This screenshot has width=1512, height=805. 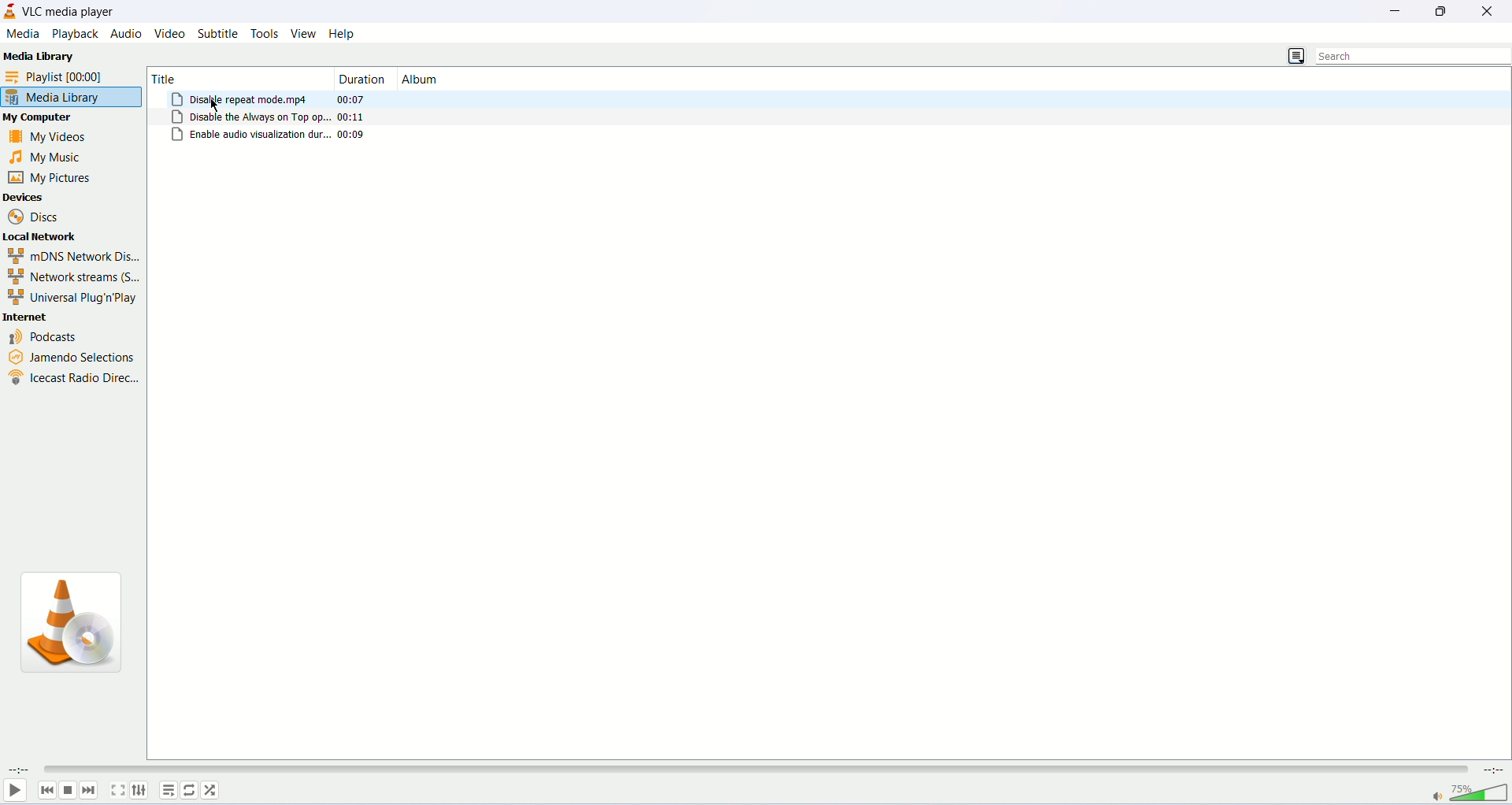 What do you see at coordinates (72, 277) in the screenshot?
I see `network streams` at bounding box center [72, 277].